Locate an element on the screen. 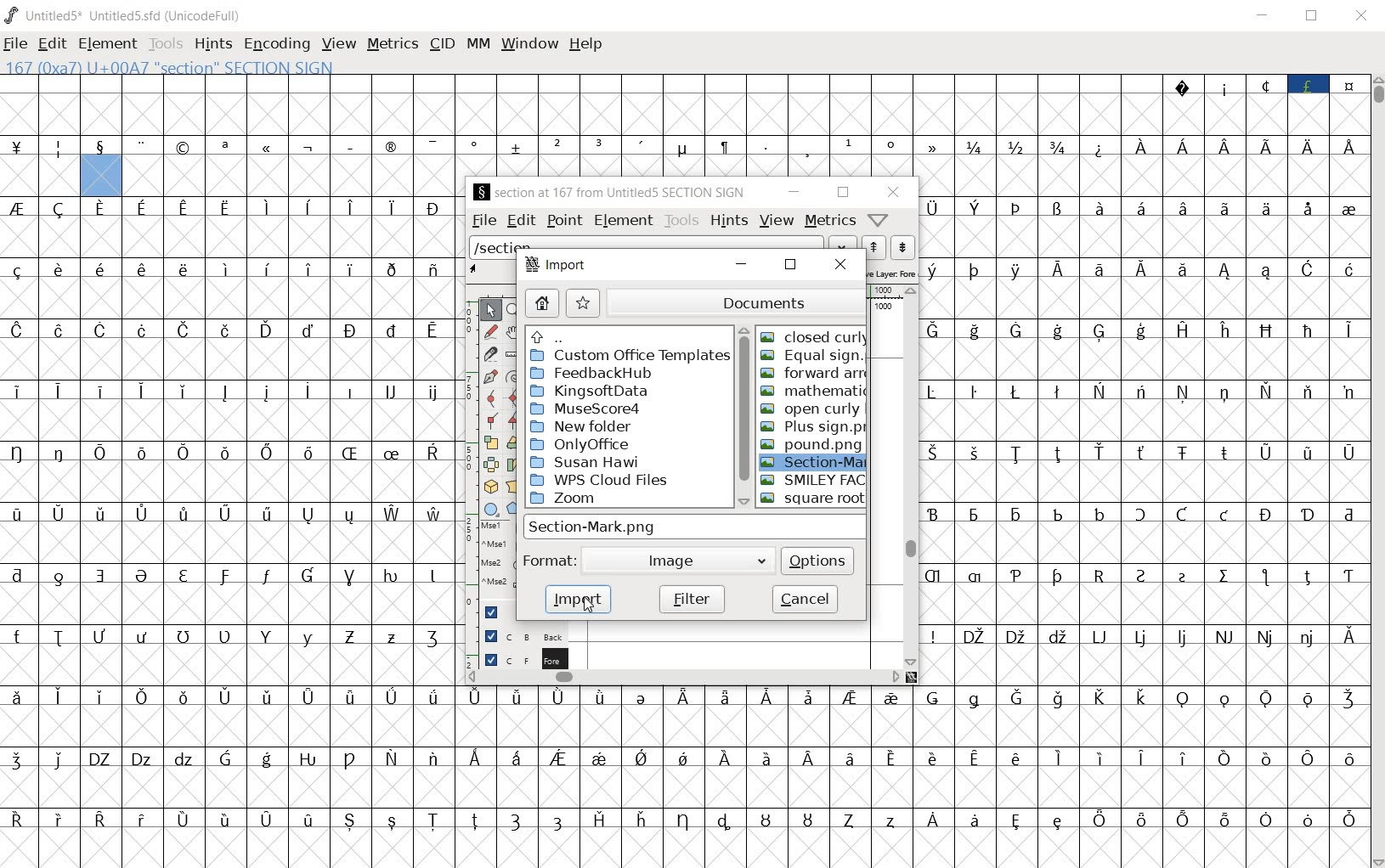  empty cells is located at coordinates (1146, 362).